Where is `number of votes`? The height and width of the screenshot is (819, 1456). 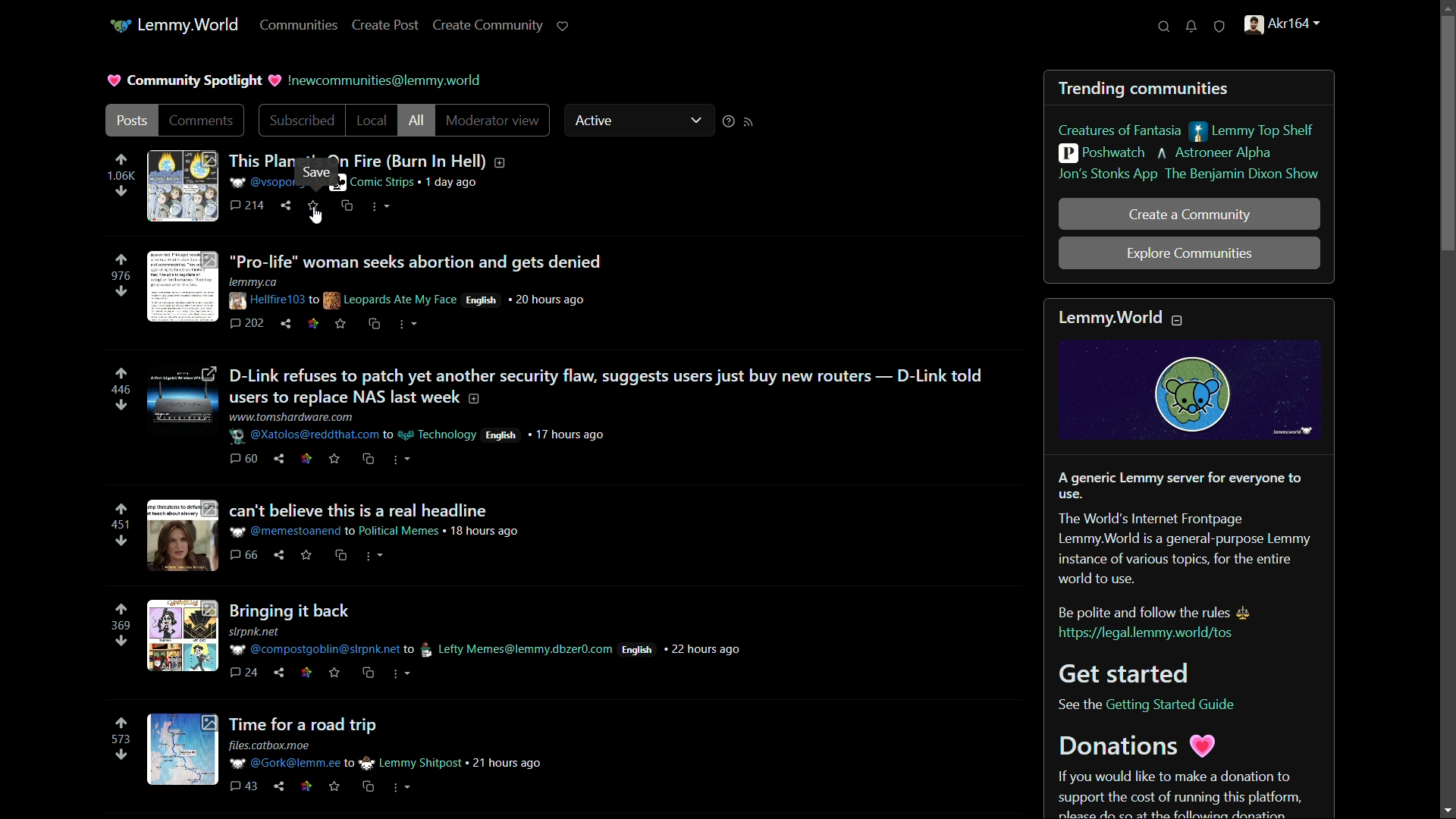
number of votes is located at coordinates (119, 739).